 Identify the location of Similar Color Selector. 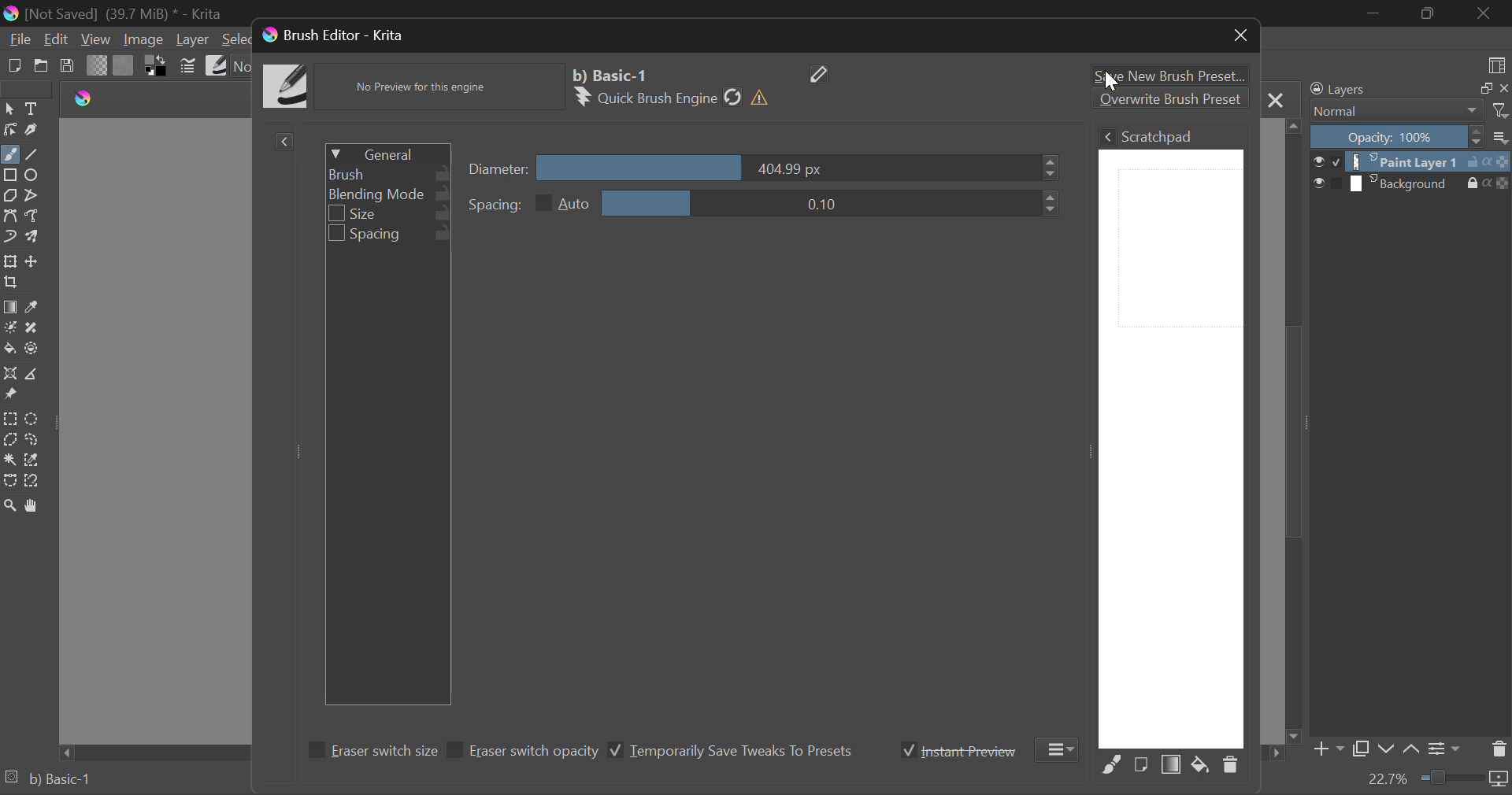
(31, 460).